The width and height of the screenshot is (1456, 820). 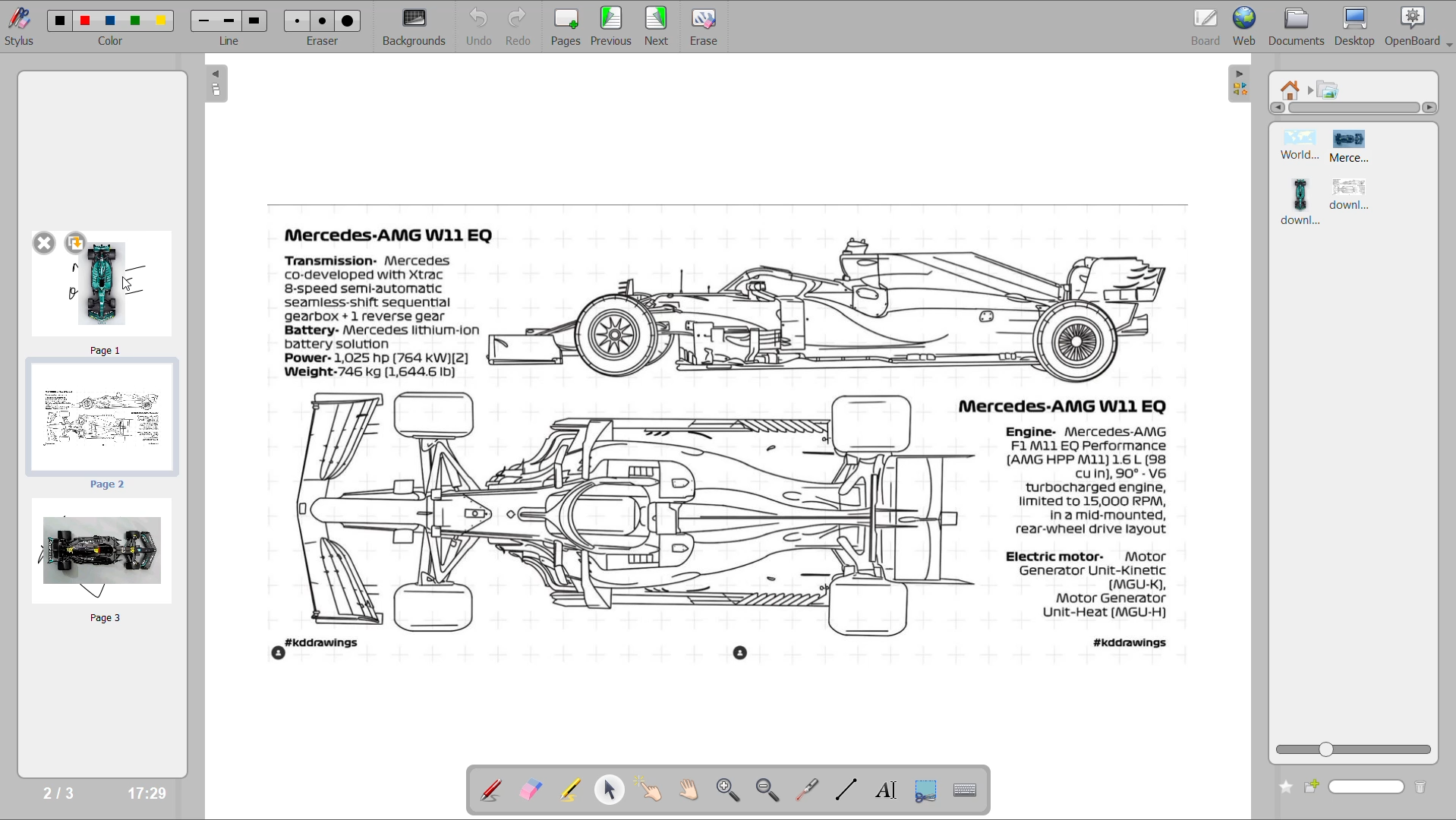 What do you see at coordinates (416, 27) in the screenshot?
I see `backgrounds` at bounding box center [416, 27].